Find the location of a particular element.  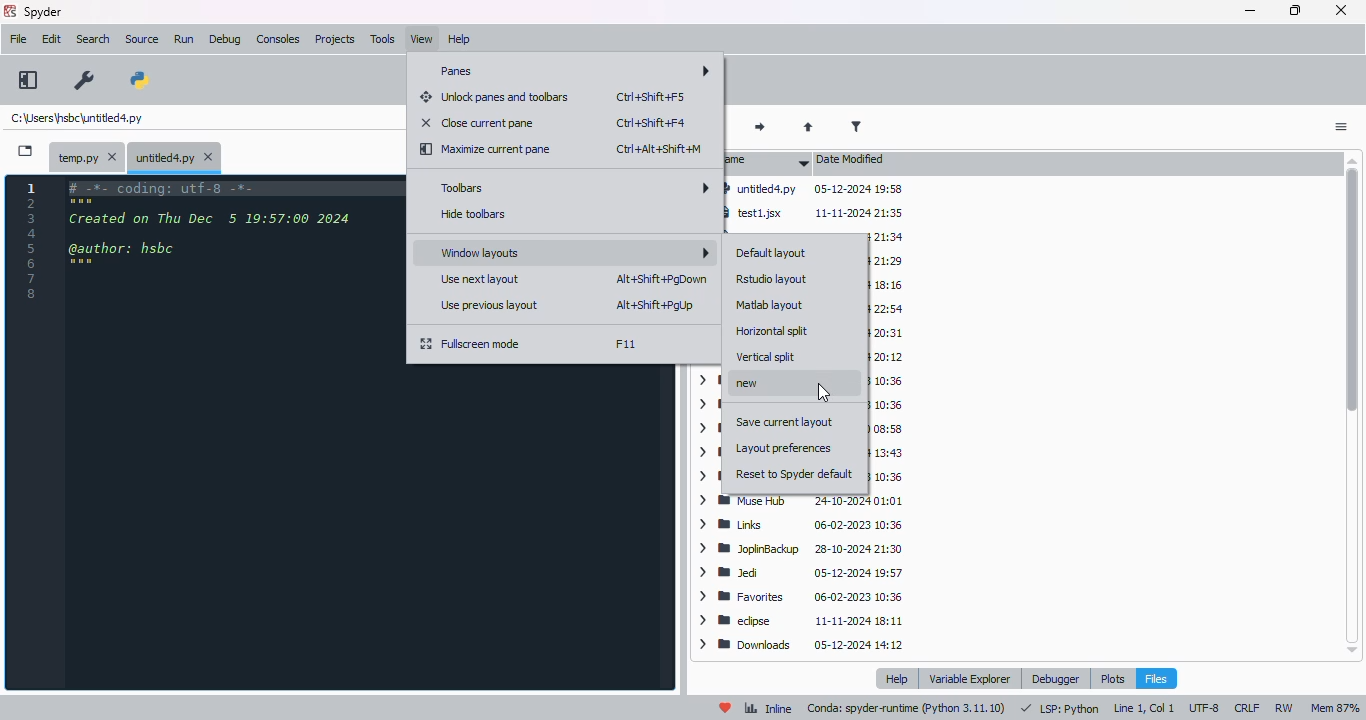

close current pane is located at coordinates (477, 122).